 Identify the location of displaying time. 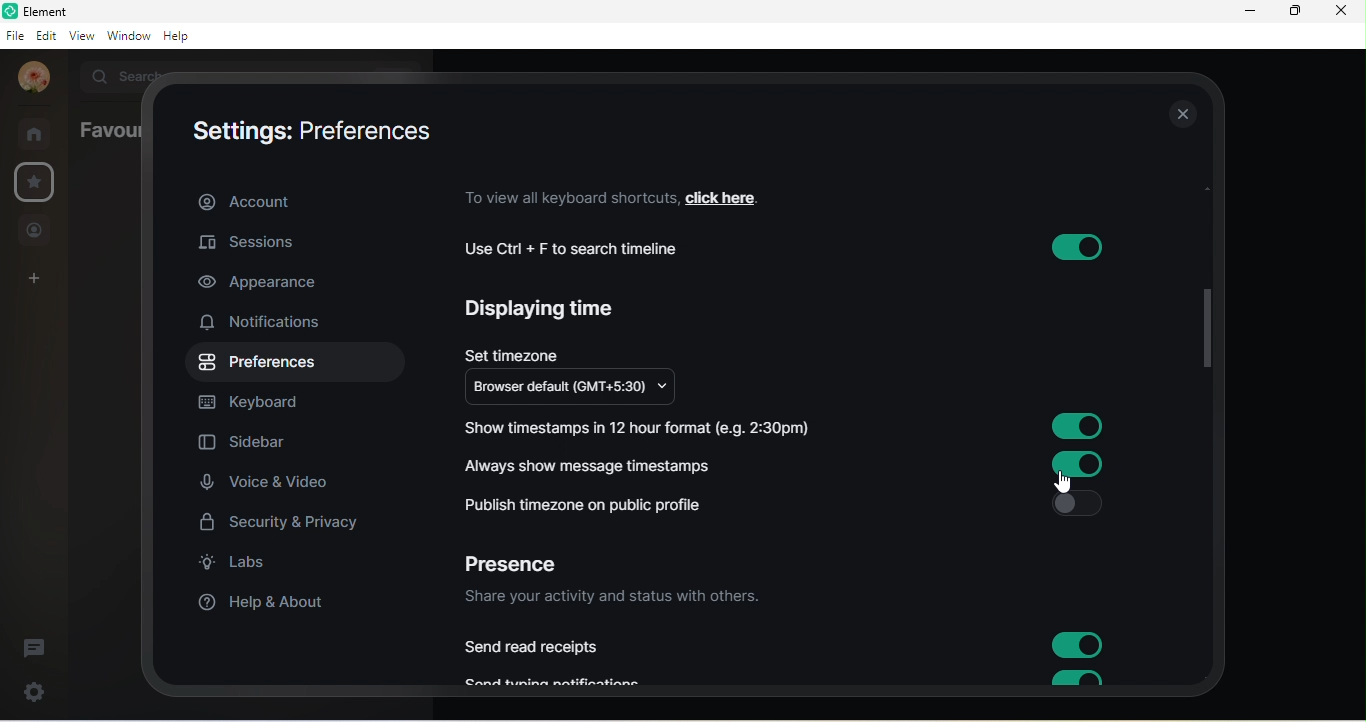
(546, 313).